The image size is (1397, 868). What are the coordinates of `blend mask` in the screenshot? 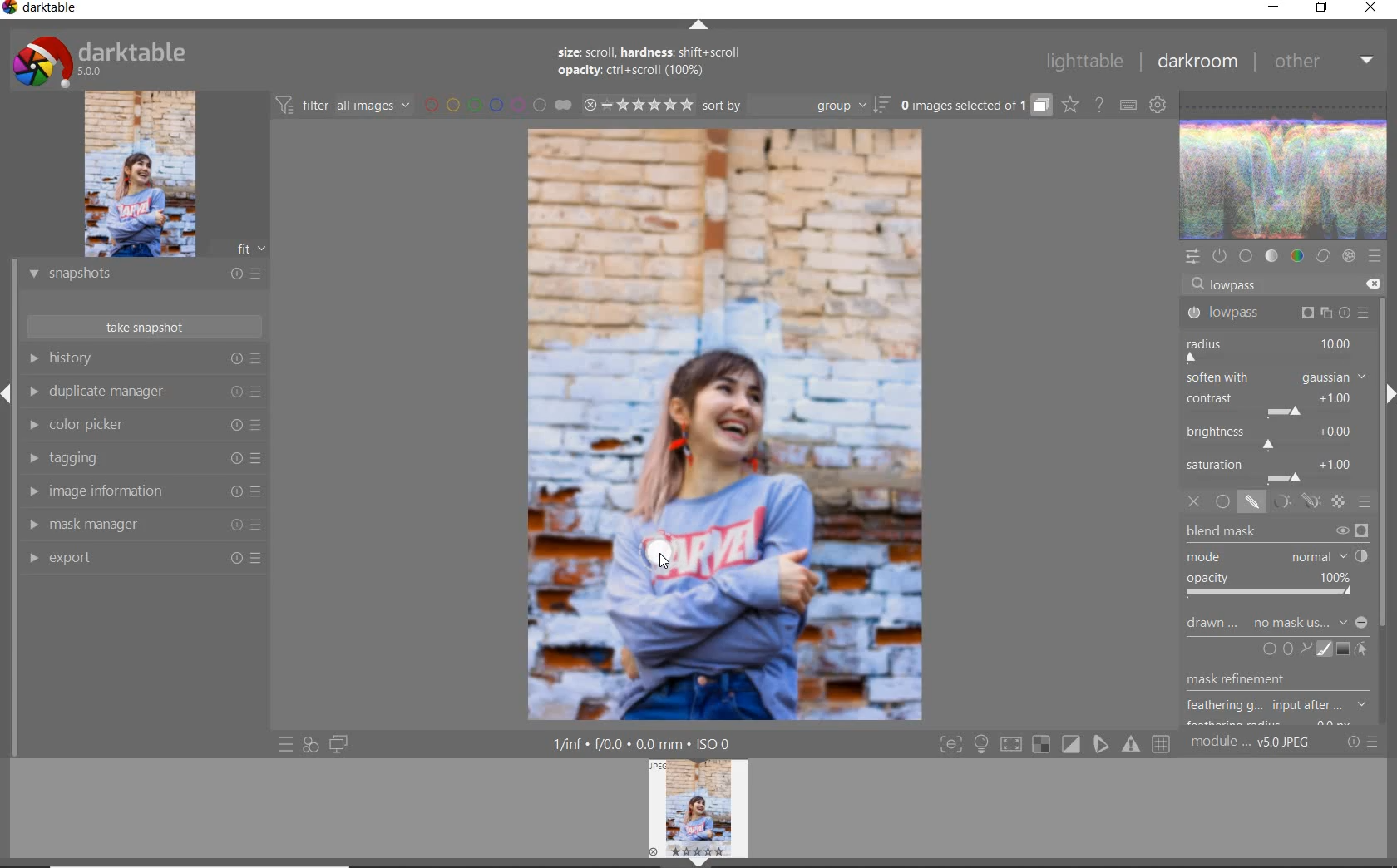 It's located at (1281, 562).